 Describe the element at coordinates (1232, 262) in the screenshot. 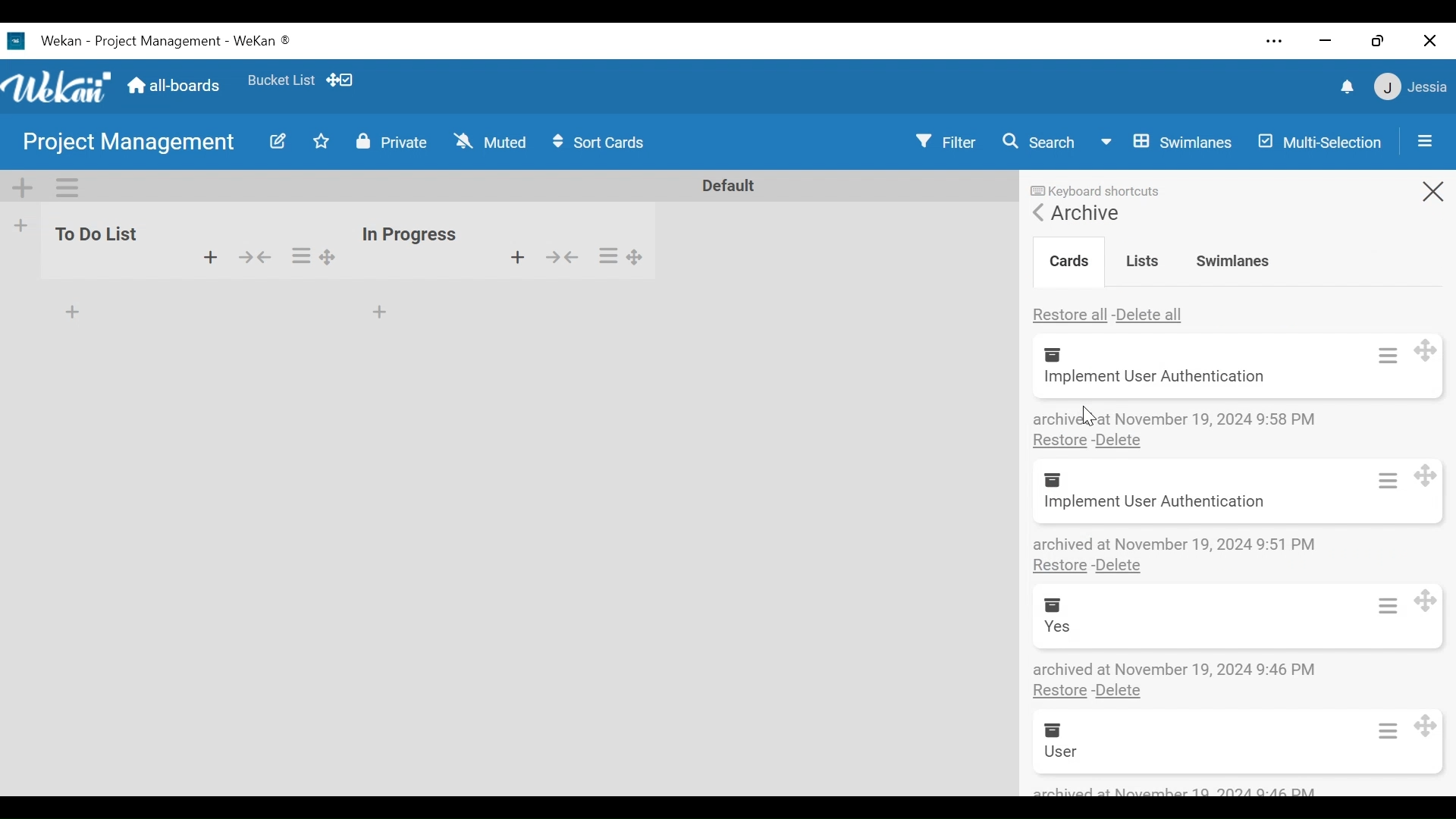

I see `Swimlanes` at that location.